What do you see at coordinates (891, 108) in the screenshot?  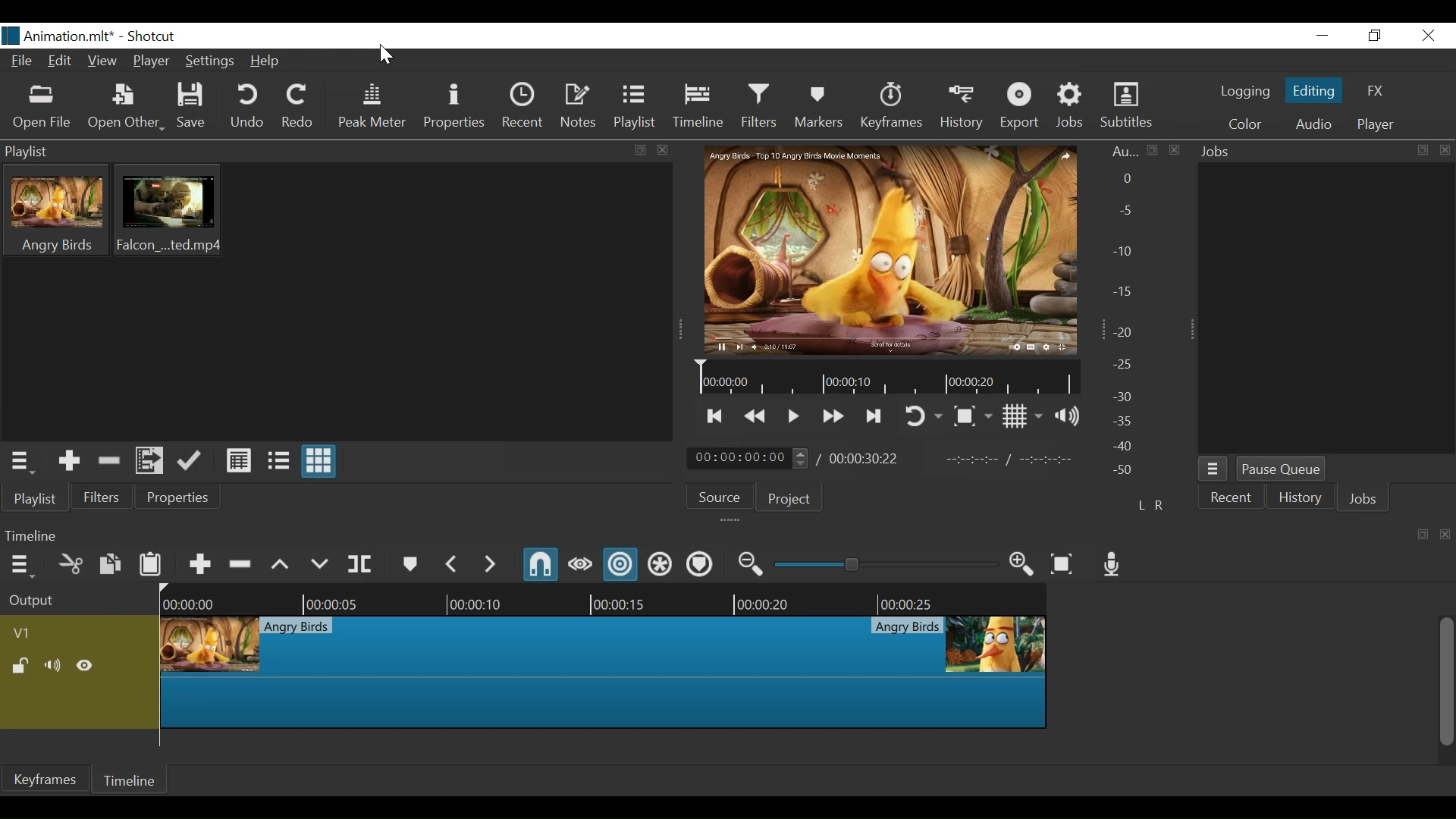 I see `Keyframes` at bounding box center [891, 108].